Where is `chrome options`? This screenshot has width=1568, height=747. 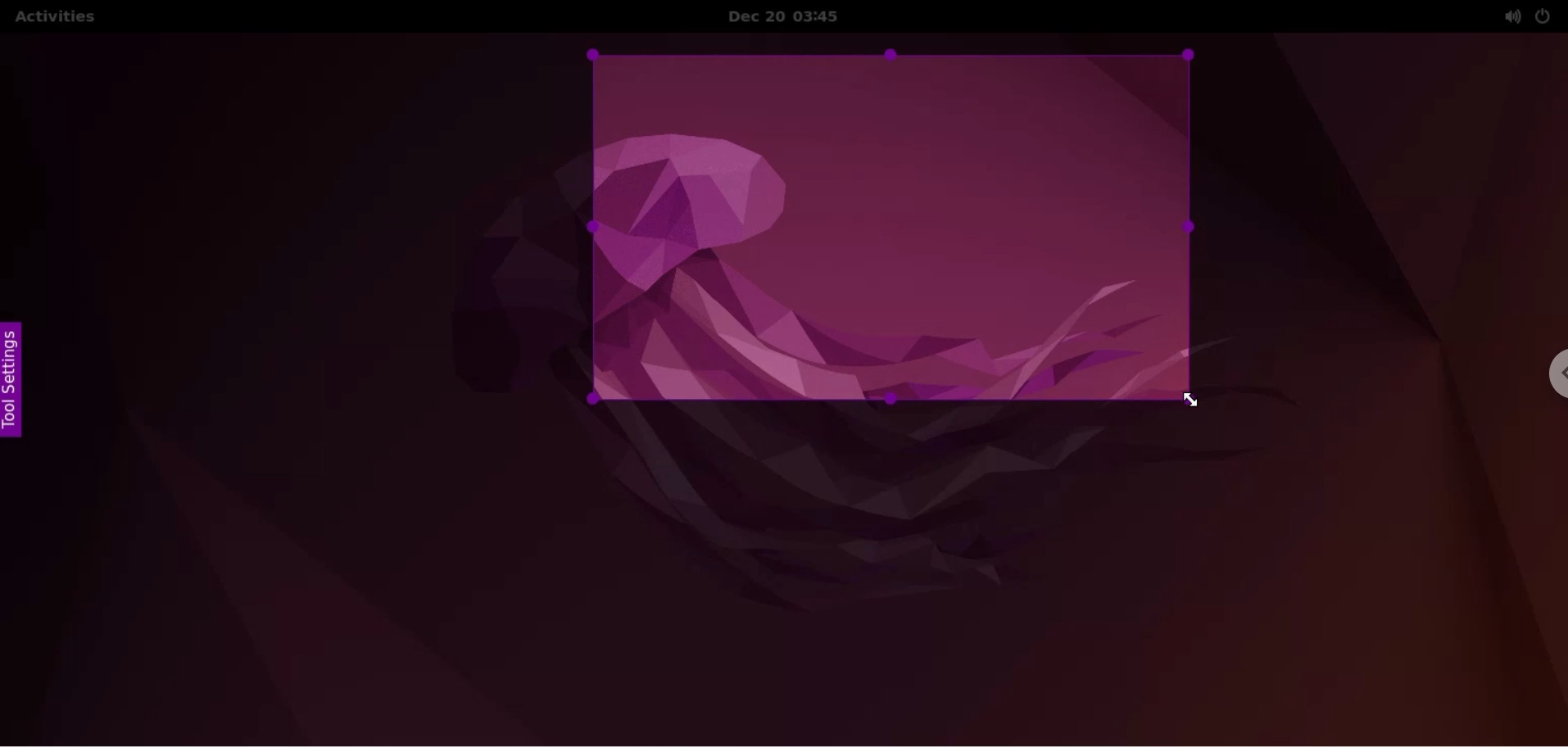 chrome options is located at coordinates (1548, 378).